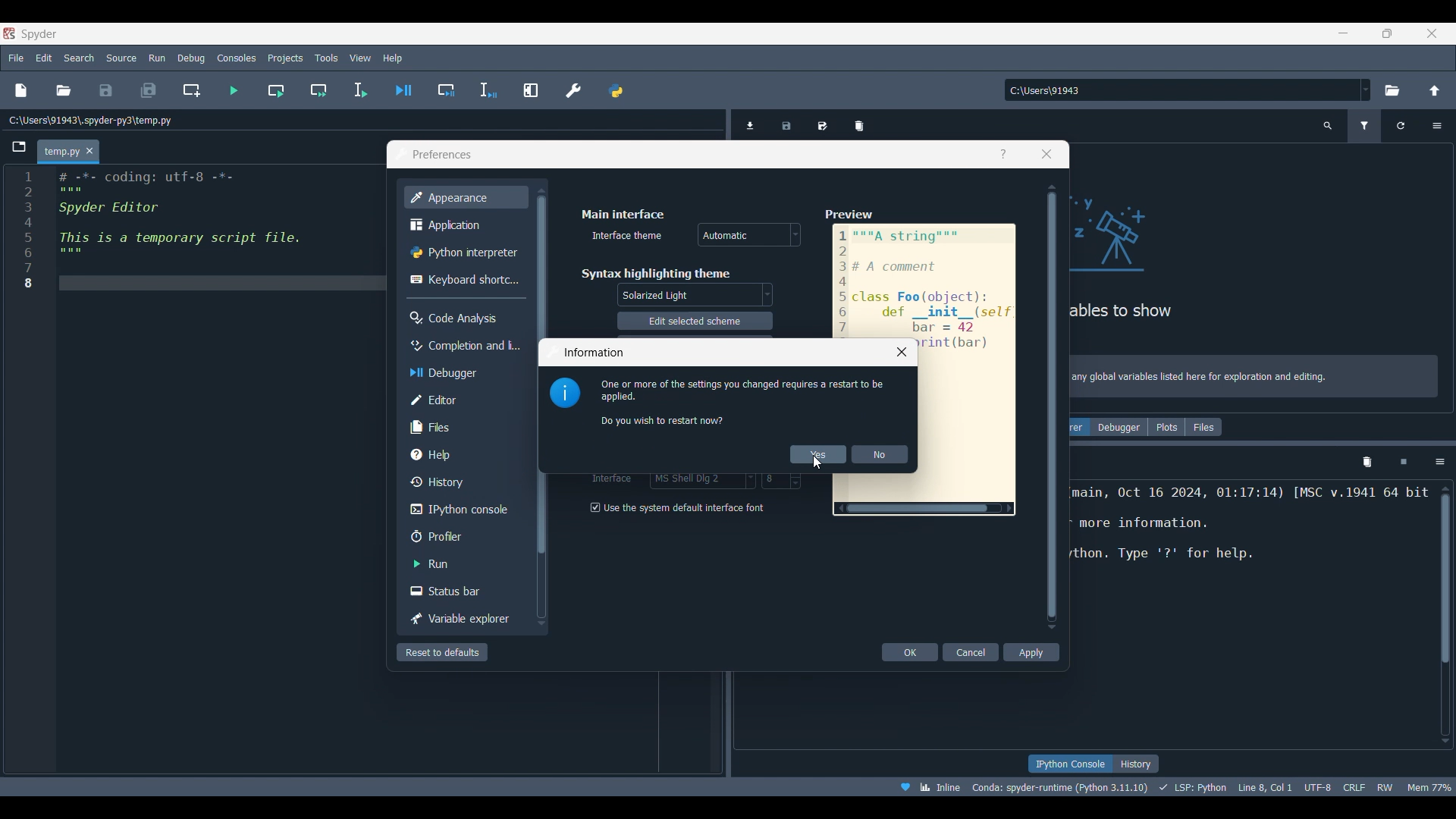 The width and height of the screenshot is (1456, 819). I want to click on Browse tabs, so click(19, 147).